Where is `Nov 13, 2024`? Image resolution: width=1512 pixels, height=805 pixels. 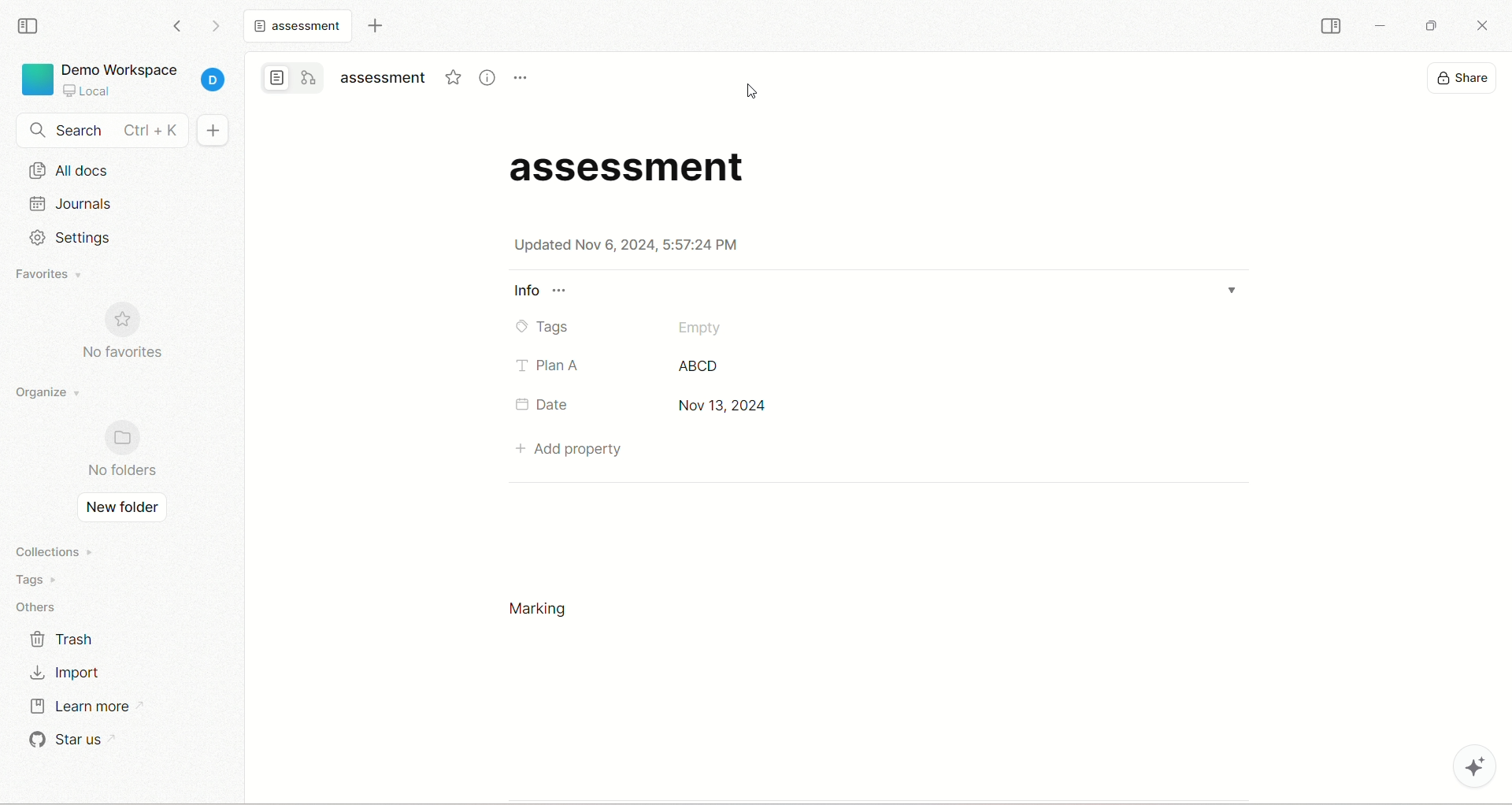
Nov 13, 2024 is located at coordinates (719, 406).